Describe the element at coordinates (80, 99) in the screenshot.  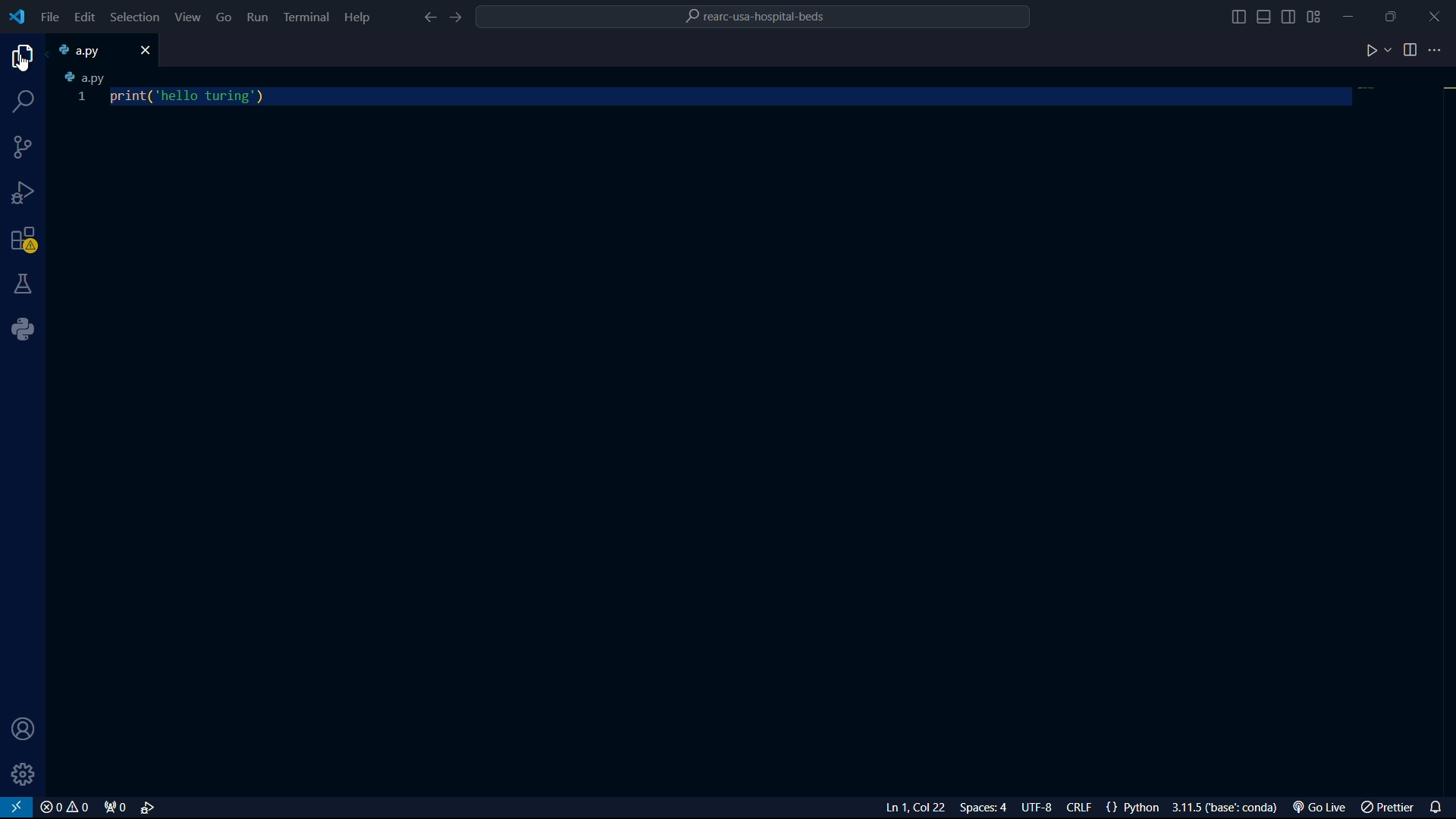
I see `1` at that location.